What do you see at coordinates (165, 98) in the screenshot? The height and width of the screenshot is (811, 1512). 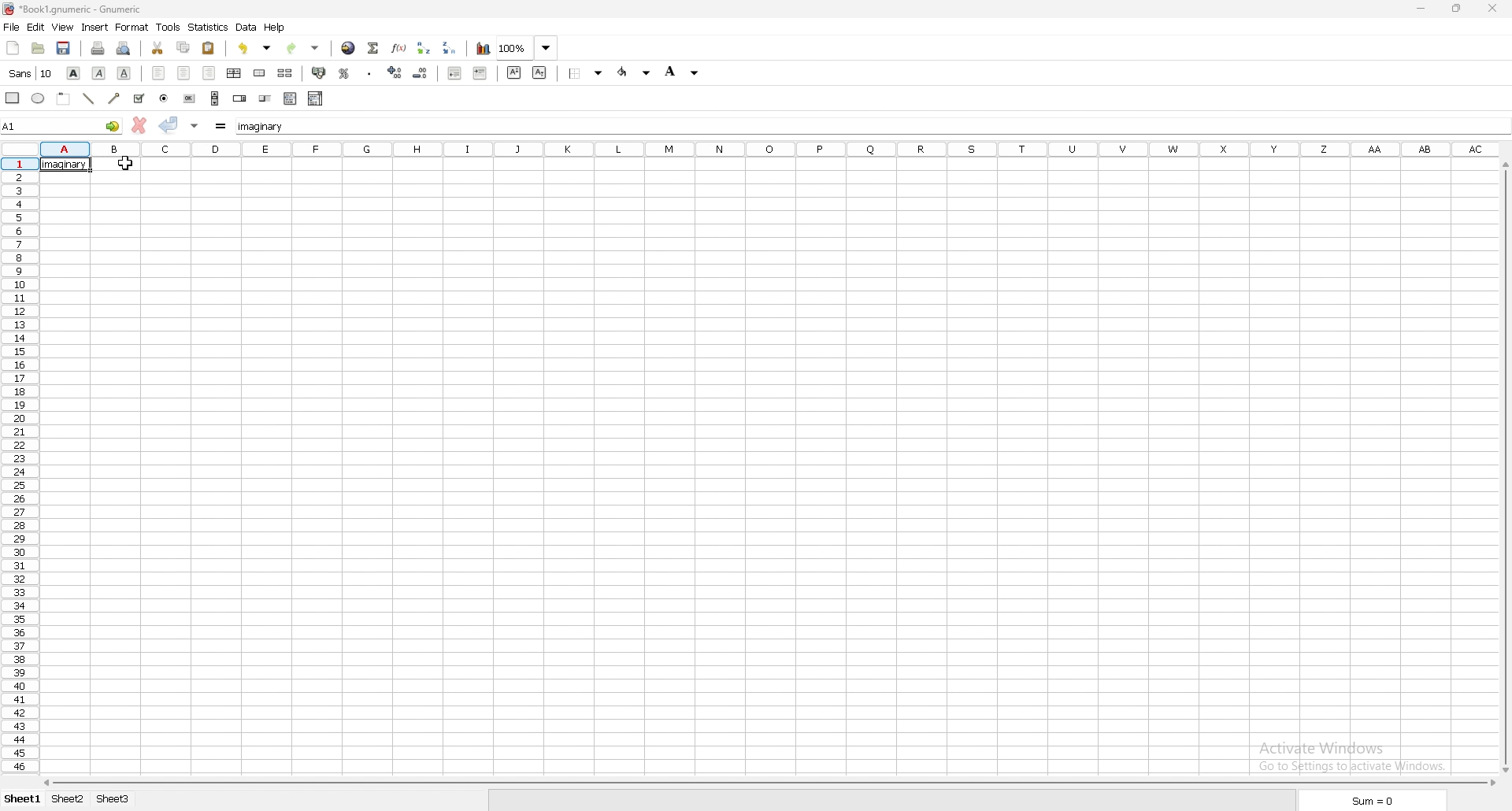 I see `radio button` at bounding box center [165, 98].